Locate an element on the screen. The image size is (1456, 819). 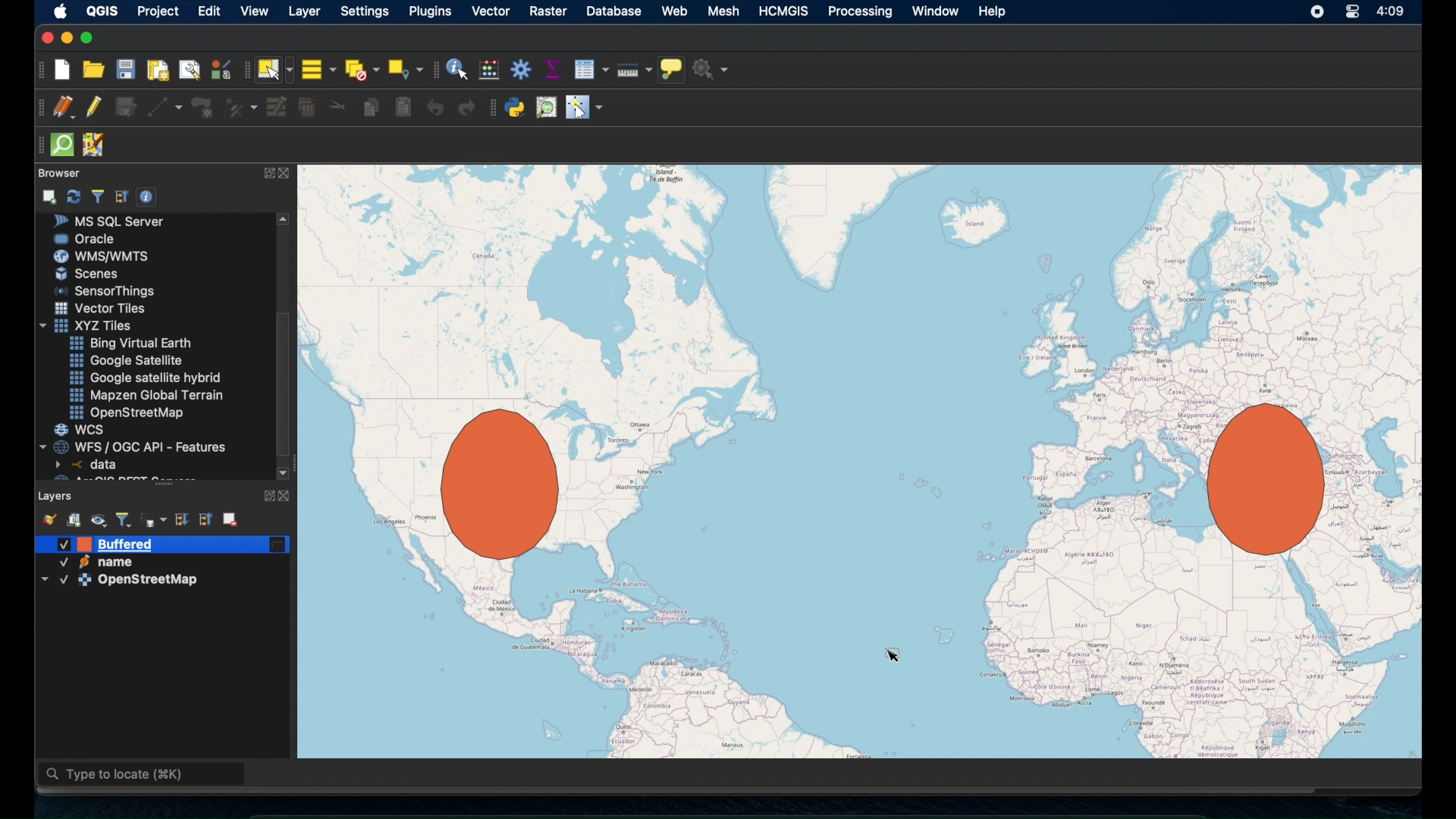
open field calculator is located at coordinates (488, 69).